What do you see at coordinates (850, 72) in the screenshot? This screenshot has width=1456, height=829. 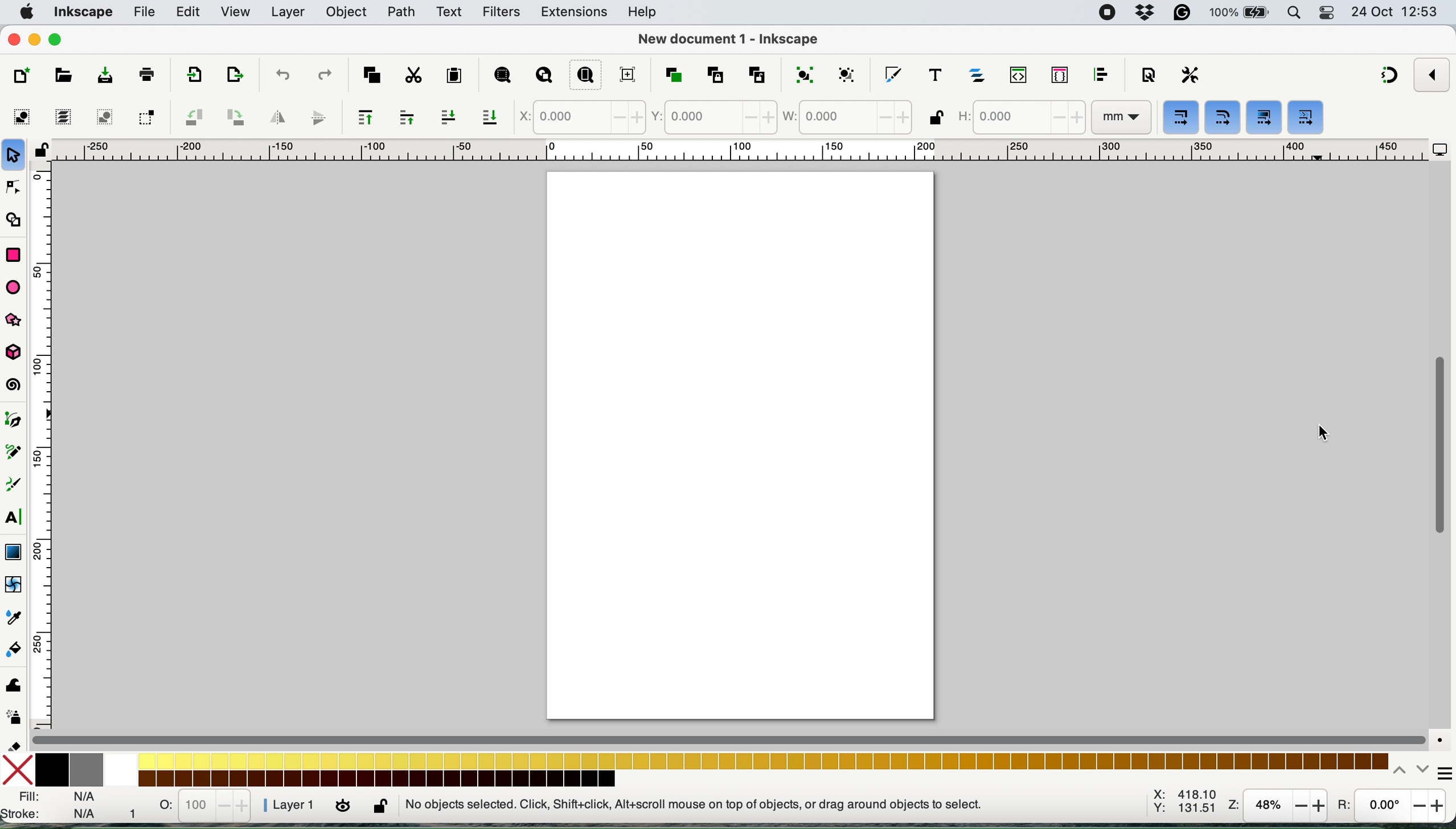 I see `ungroup` at bounding box center [850, 72].